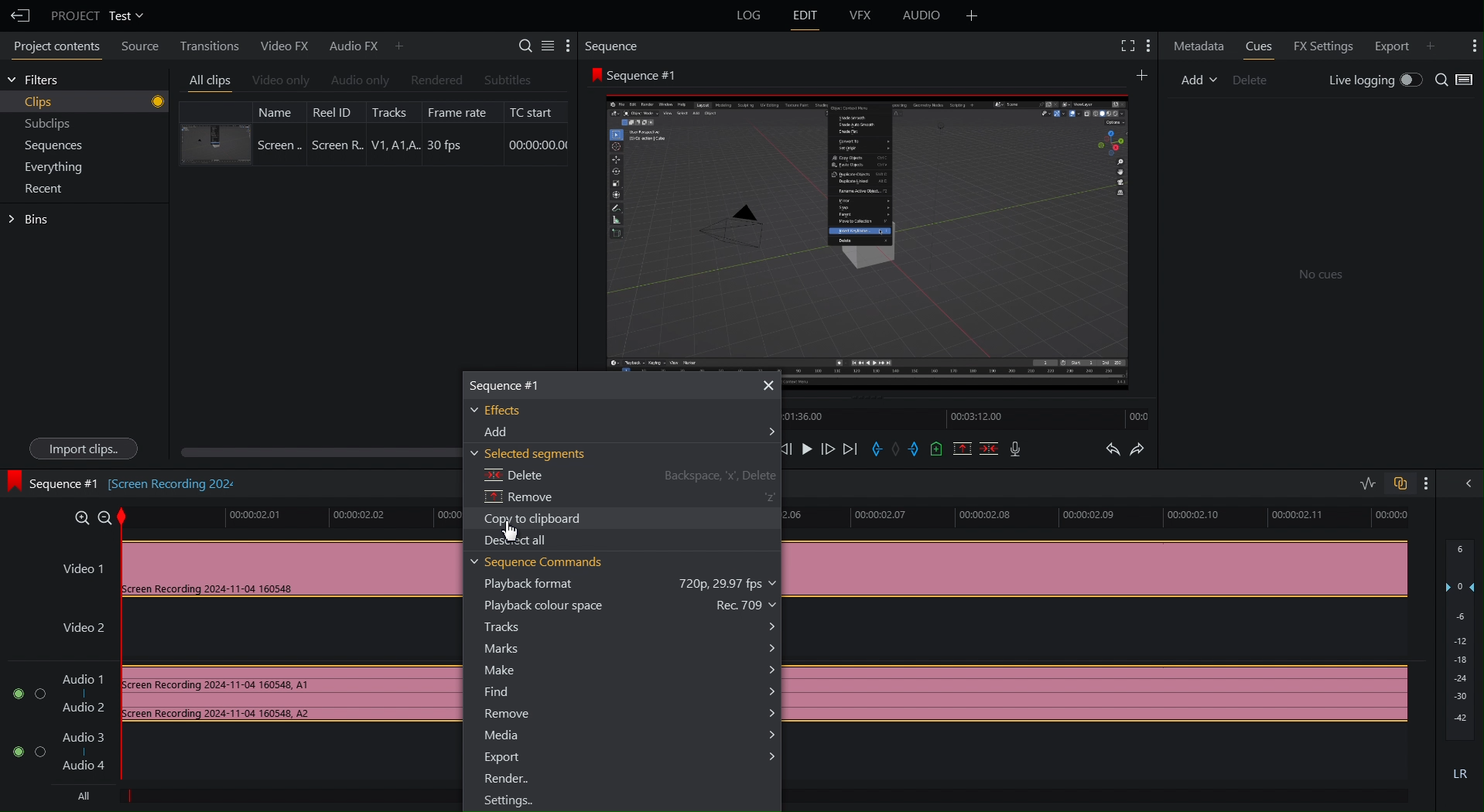 This screenshot has height=812, width=1484. What do you see at coordinates (861, 16) in the screenshot?
I see `VFX` at bounding box center [861, 16].